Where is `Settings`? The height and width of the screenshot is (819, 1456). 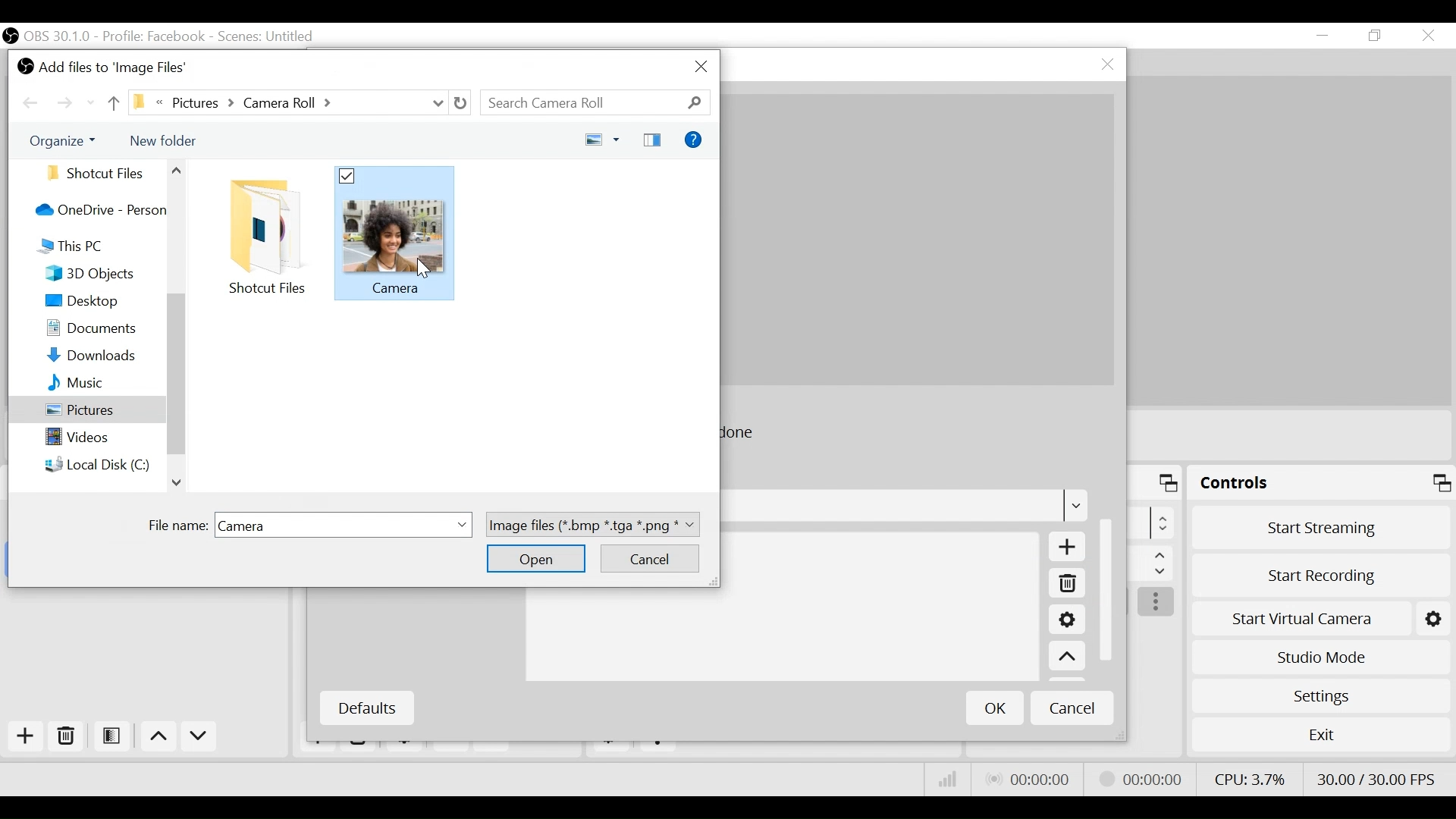 Settings is located at coordinates (1066, 622).